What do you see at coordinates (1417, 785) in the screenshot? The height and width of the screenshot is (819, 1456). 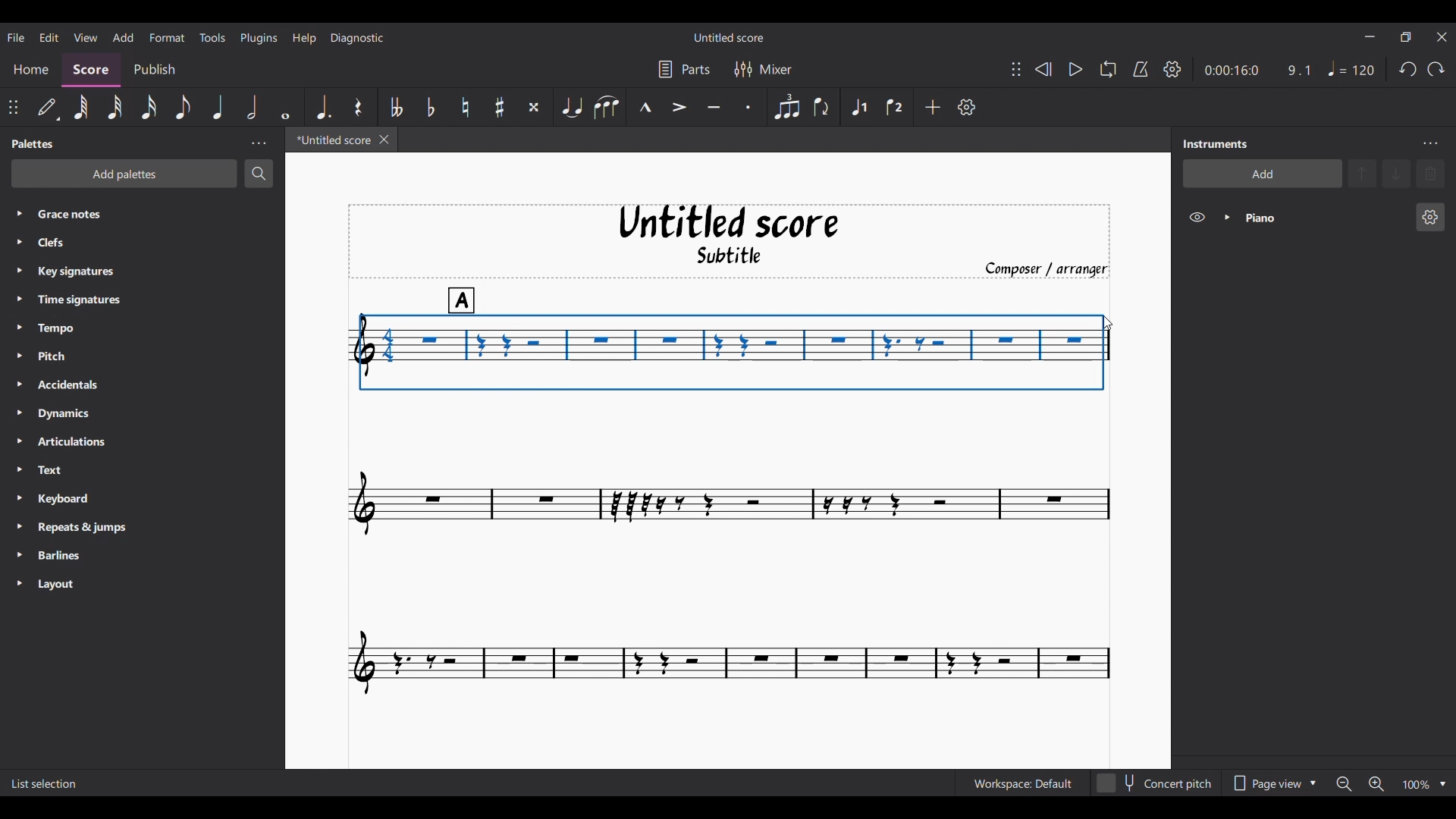 I see `Zoom factor` at bounding box center [1417, 785].